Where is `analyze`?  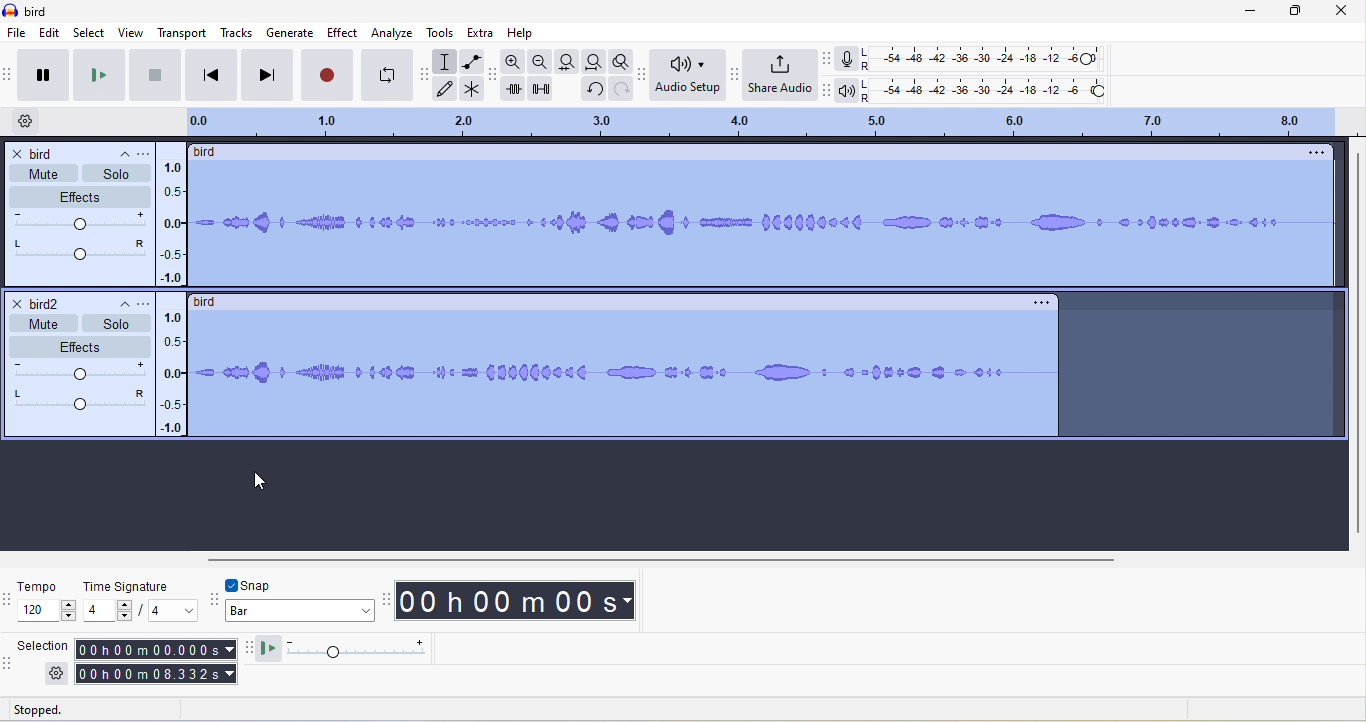
analyze is located at coordinates (391, 31).